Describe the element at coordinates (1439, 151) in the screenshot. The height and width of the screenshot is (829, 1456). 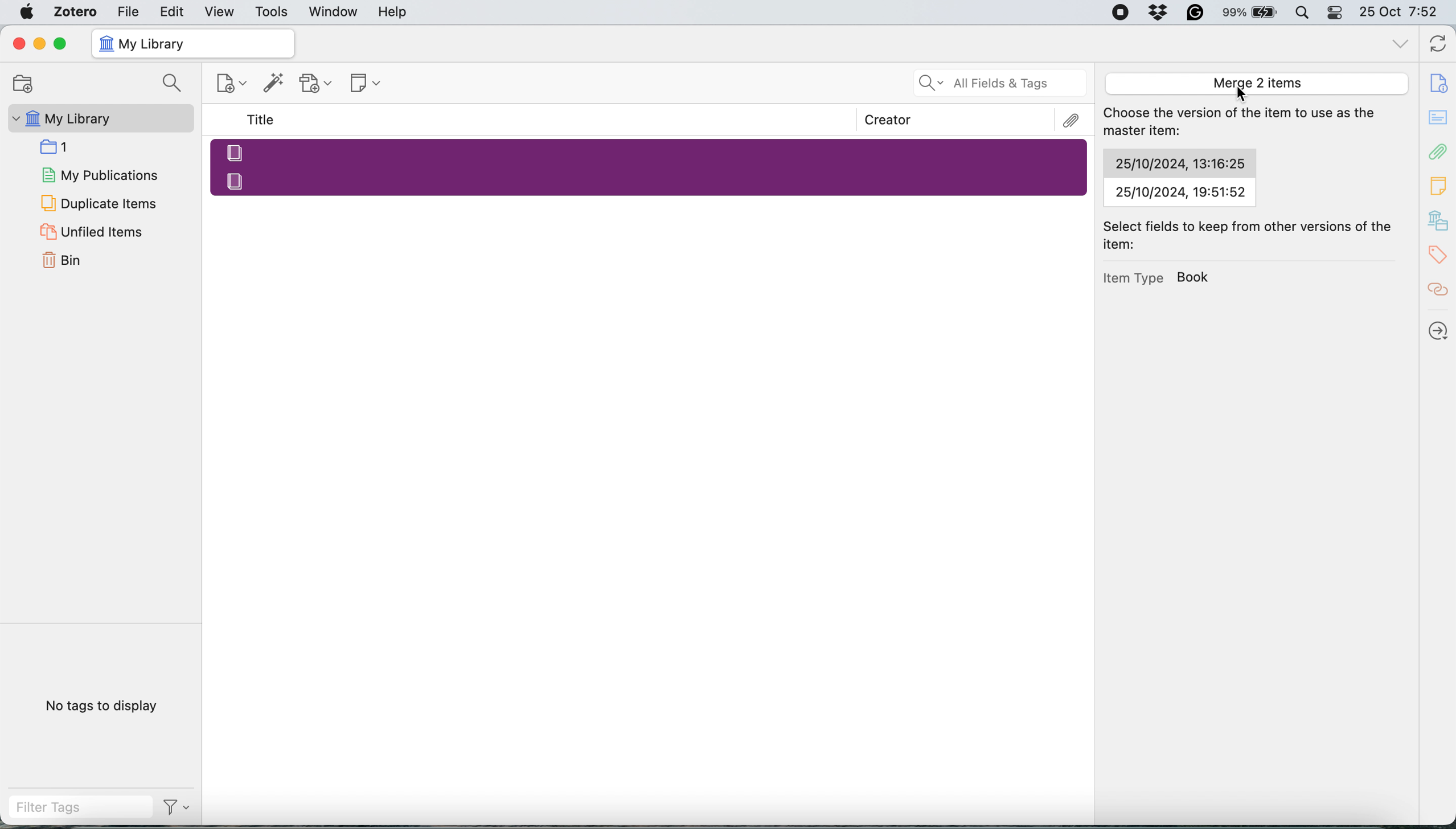
I see `Attachment` at that location.